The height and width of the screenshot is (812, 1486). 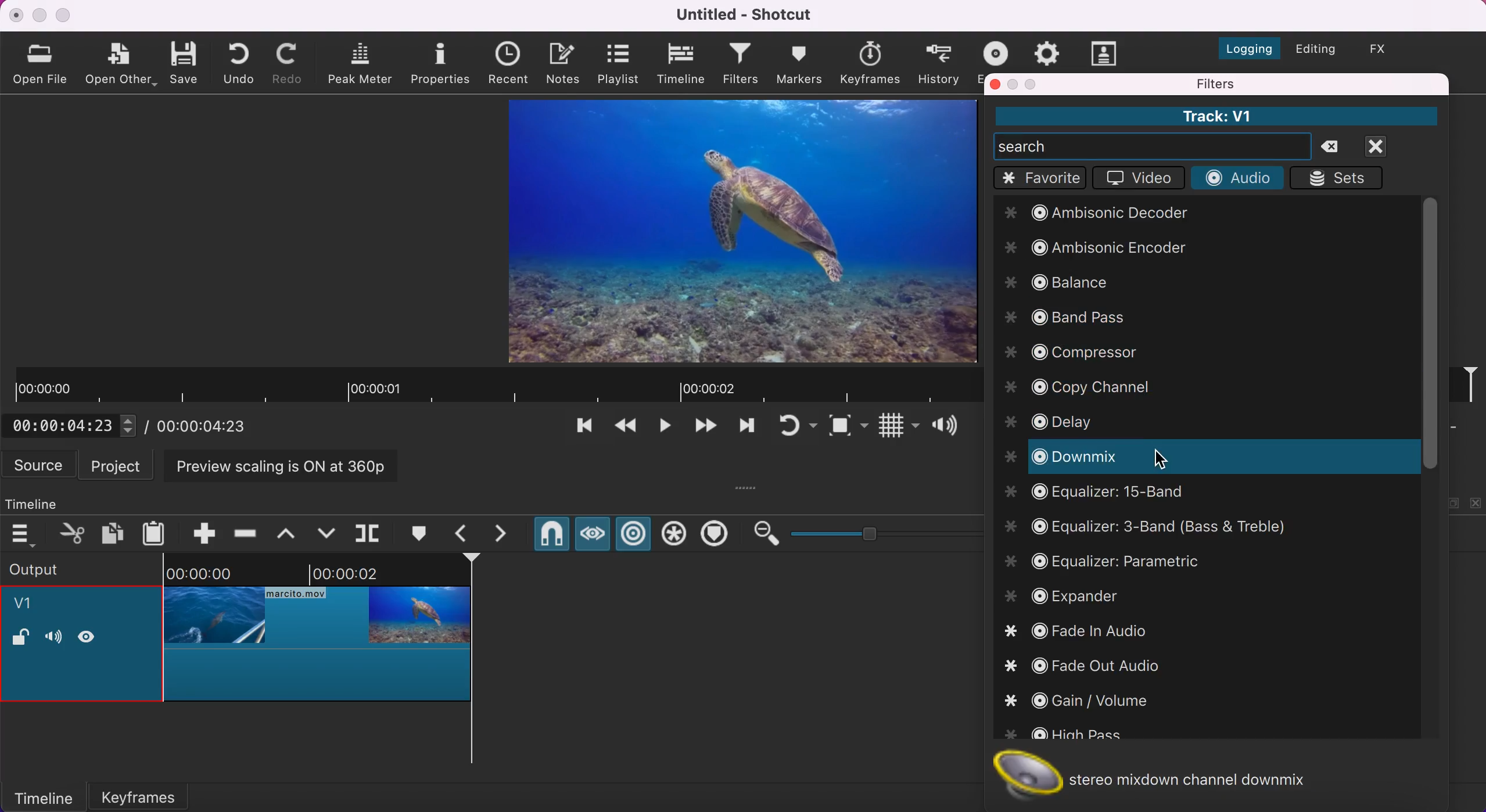 What do you see at coordinates (442, 62) in the screenshot?
I see `properties` at bounding box center [442, 62].